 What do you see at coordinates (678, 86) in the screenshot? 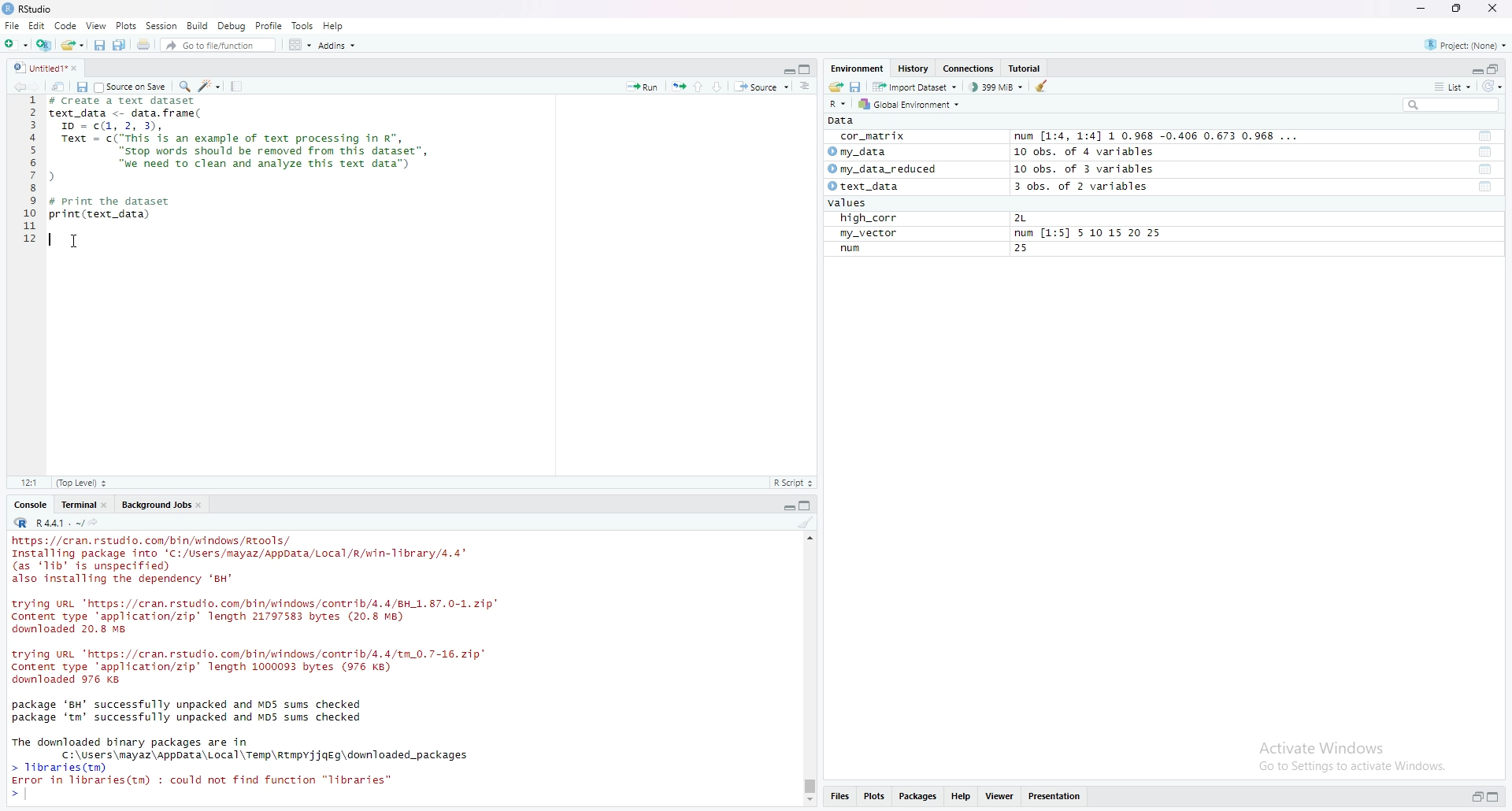
I see `rerun the previous code region` at bounding box center [678, 86].